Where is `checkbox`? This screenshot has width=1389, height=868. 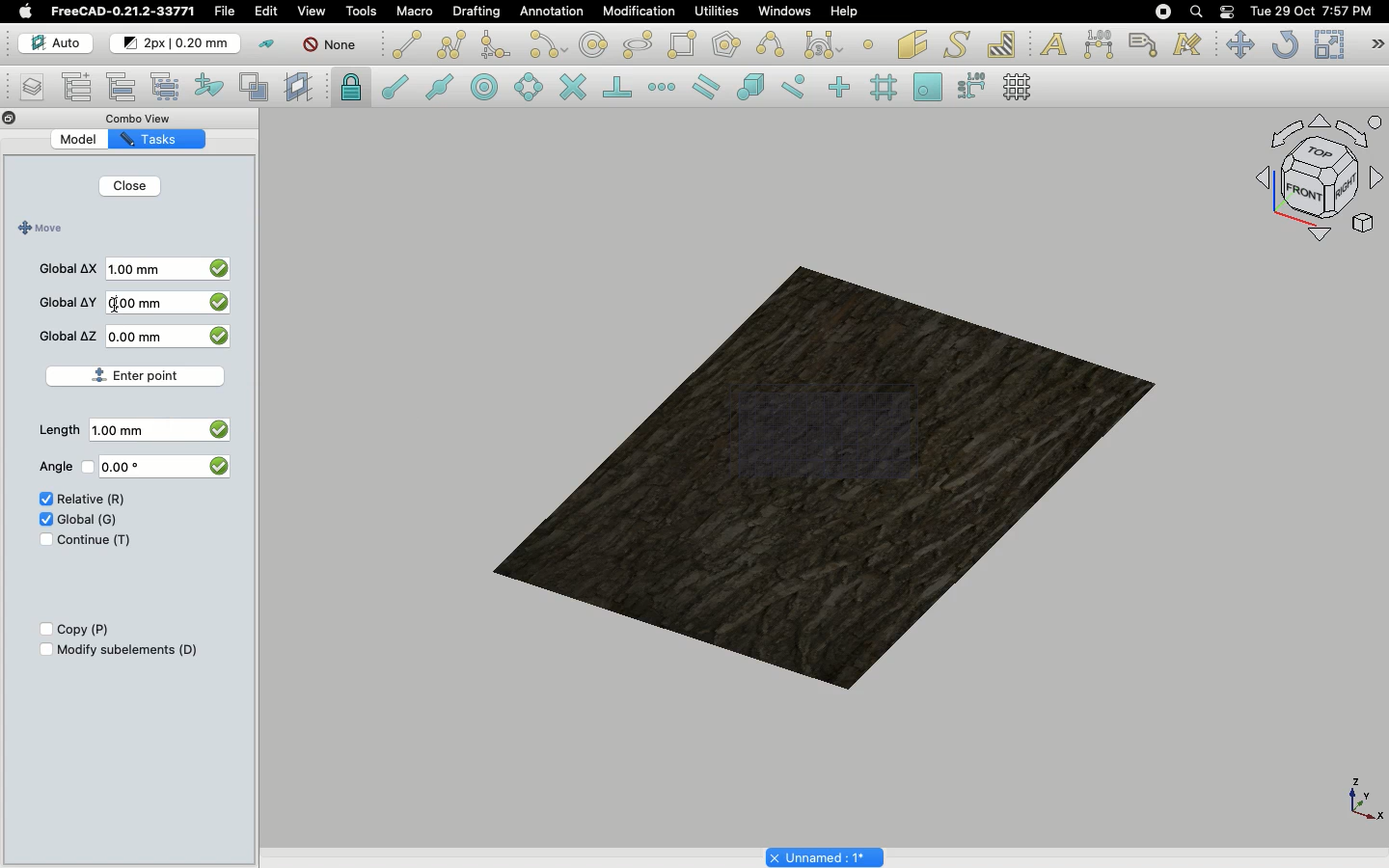 checkbox is located at coordinates (218, 305).